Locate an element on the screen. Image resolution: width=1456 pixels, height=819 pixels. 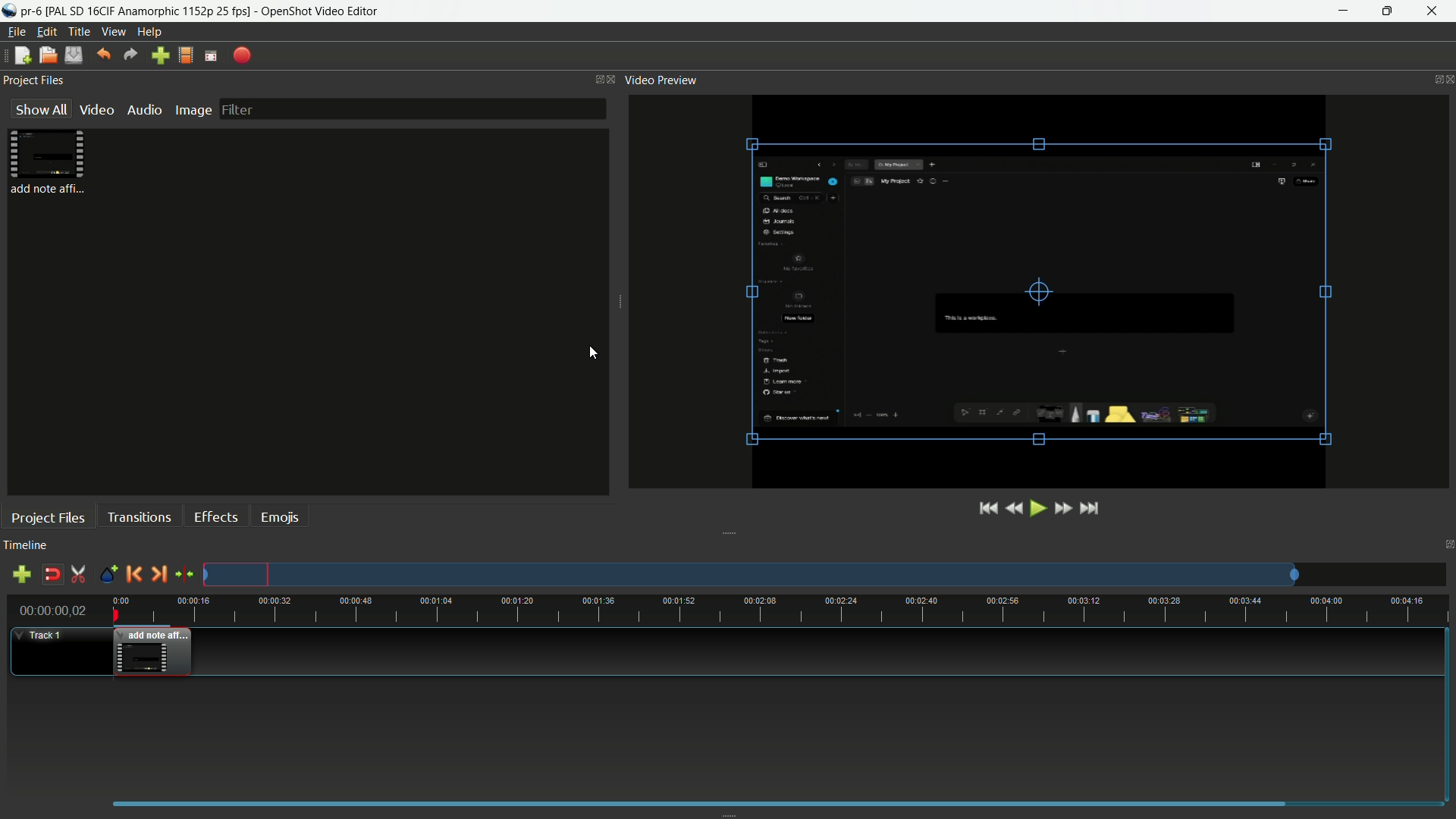
time is located at coordinates (779, 610).